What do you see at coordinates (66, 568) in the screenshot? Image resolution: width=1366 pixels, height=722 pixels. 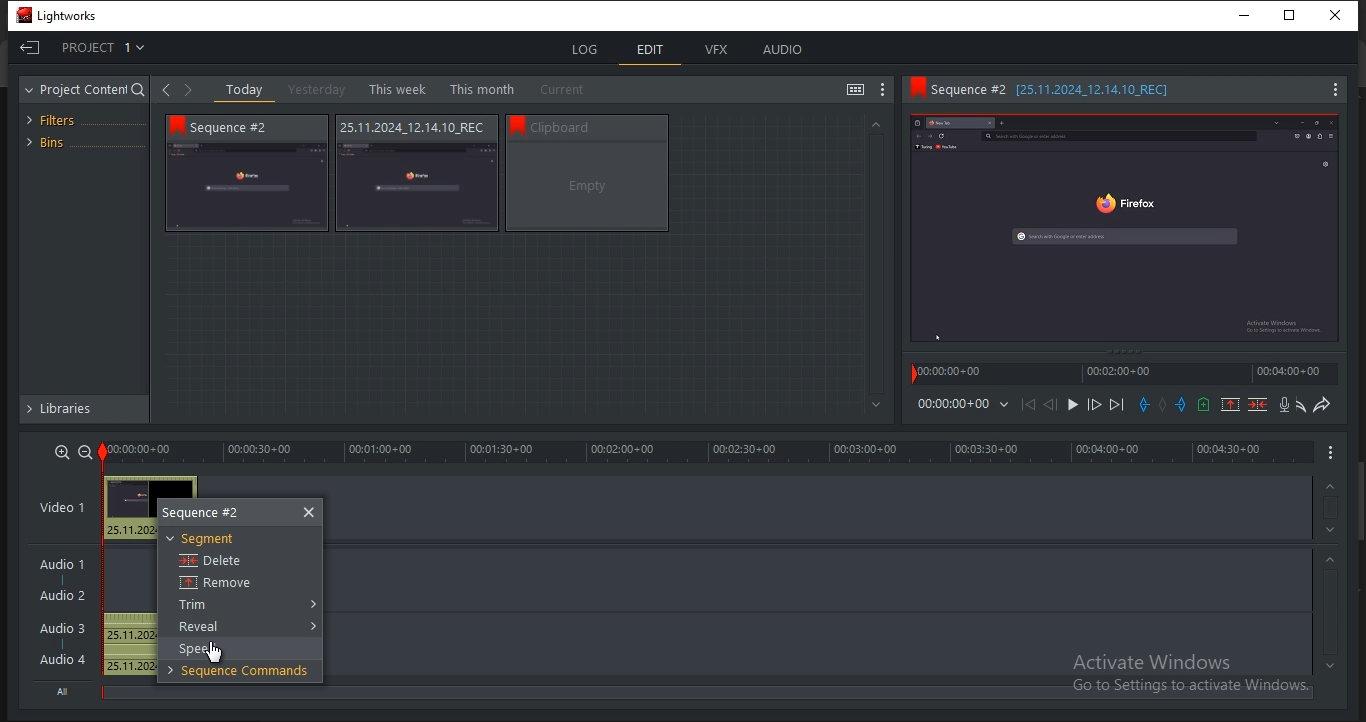 I see `Audio 1` at bounding box center [66, 568].